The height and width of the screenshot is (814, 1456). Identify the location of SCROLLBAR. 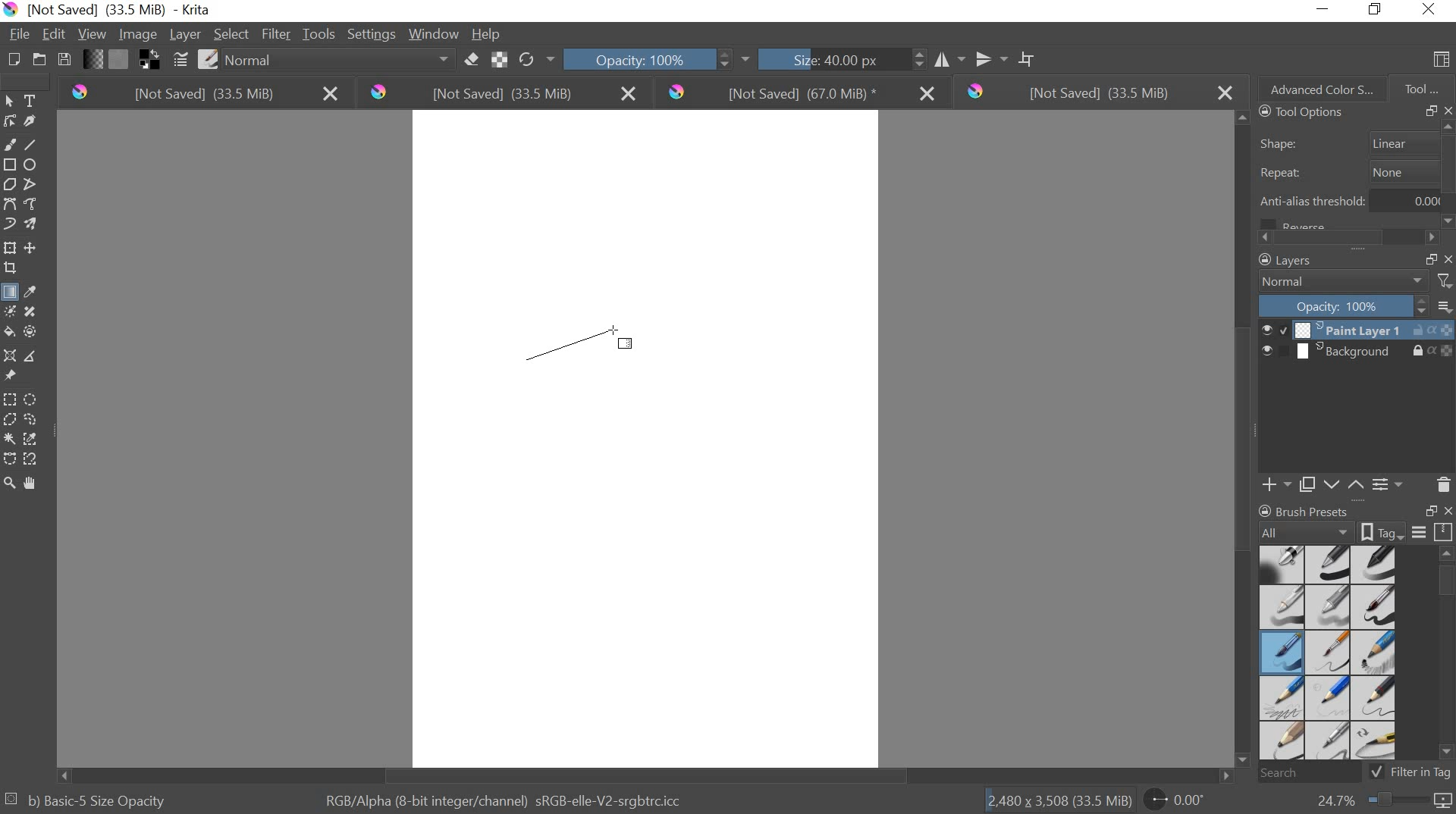
(1353, 238).